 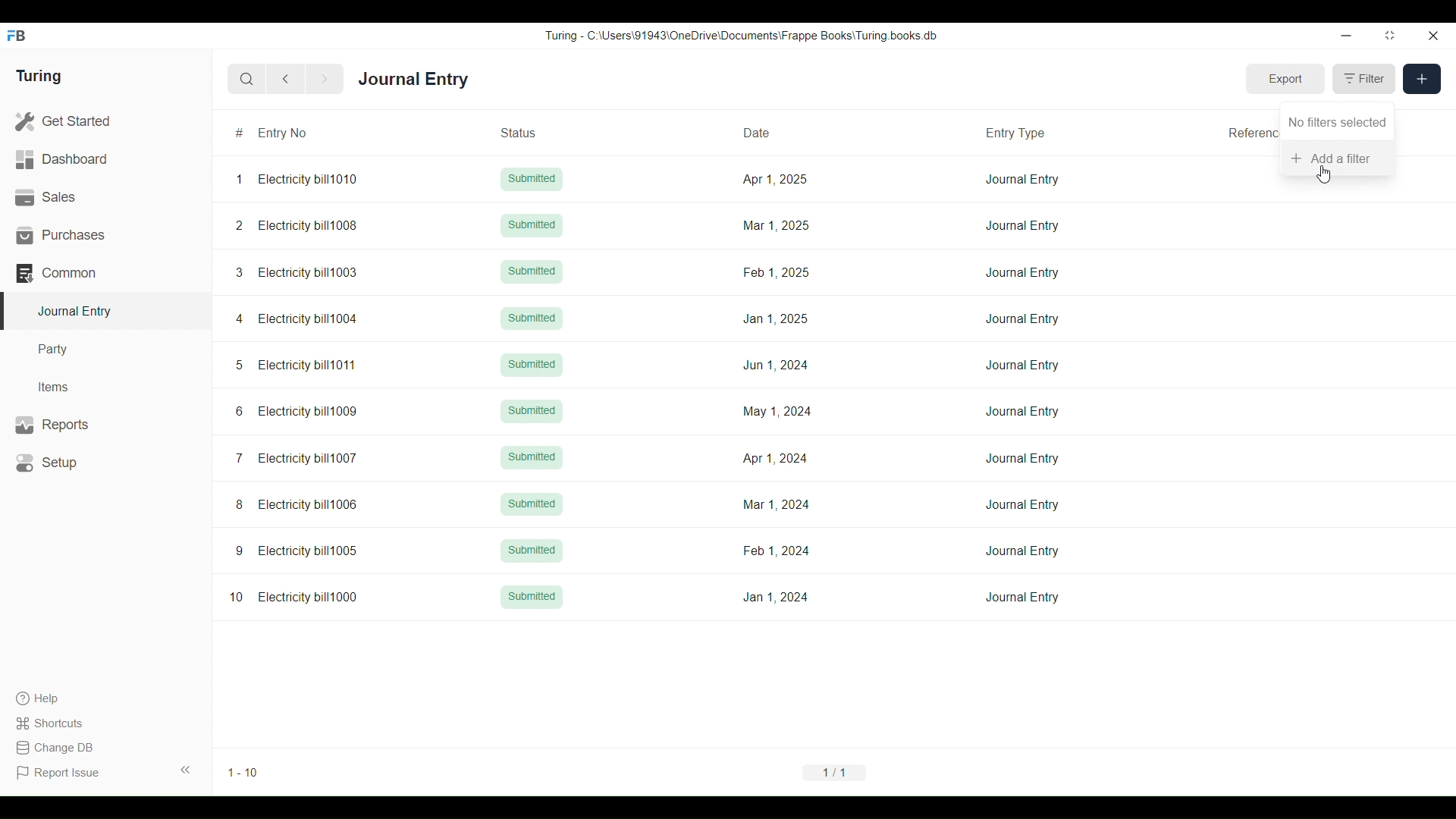 What do you see at coordinates (105, 235) in the screenshot?
I see `Purchases` at bounding box center [105, 235].